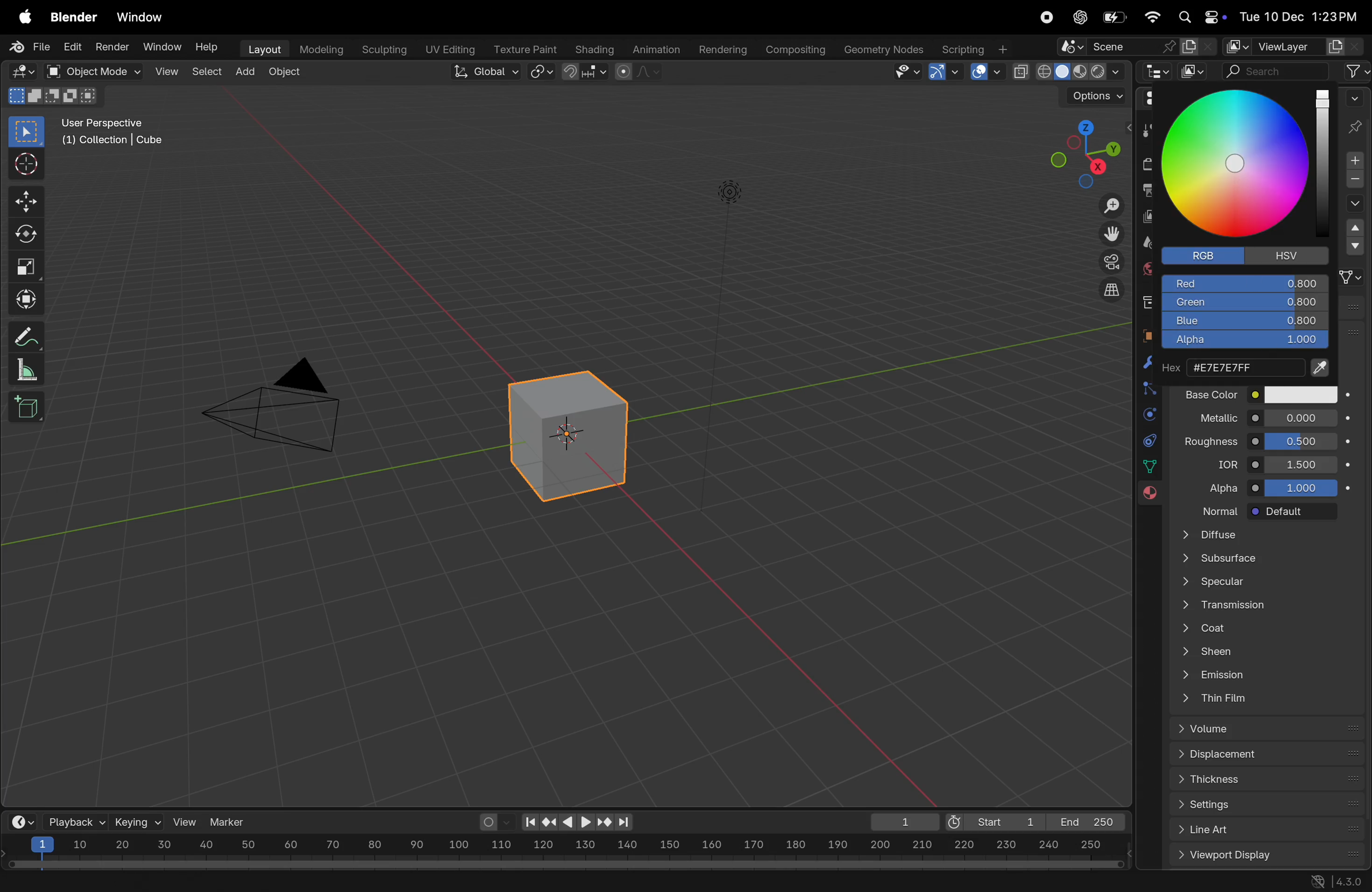  I want to click on object, so click(285, 73).